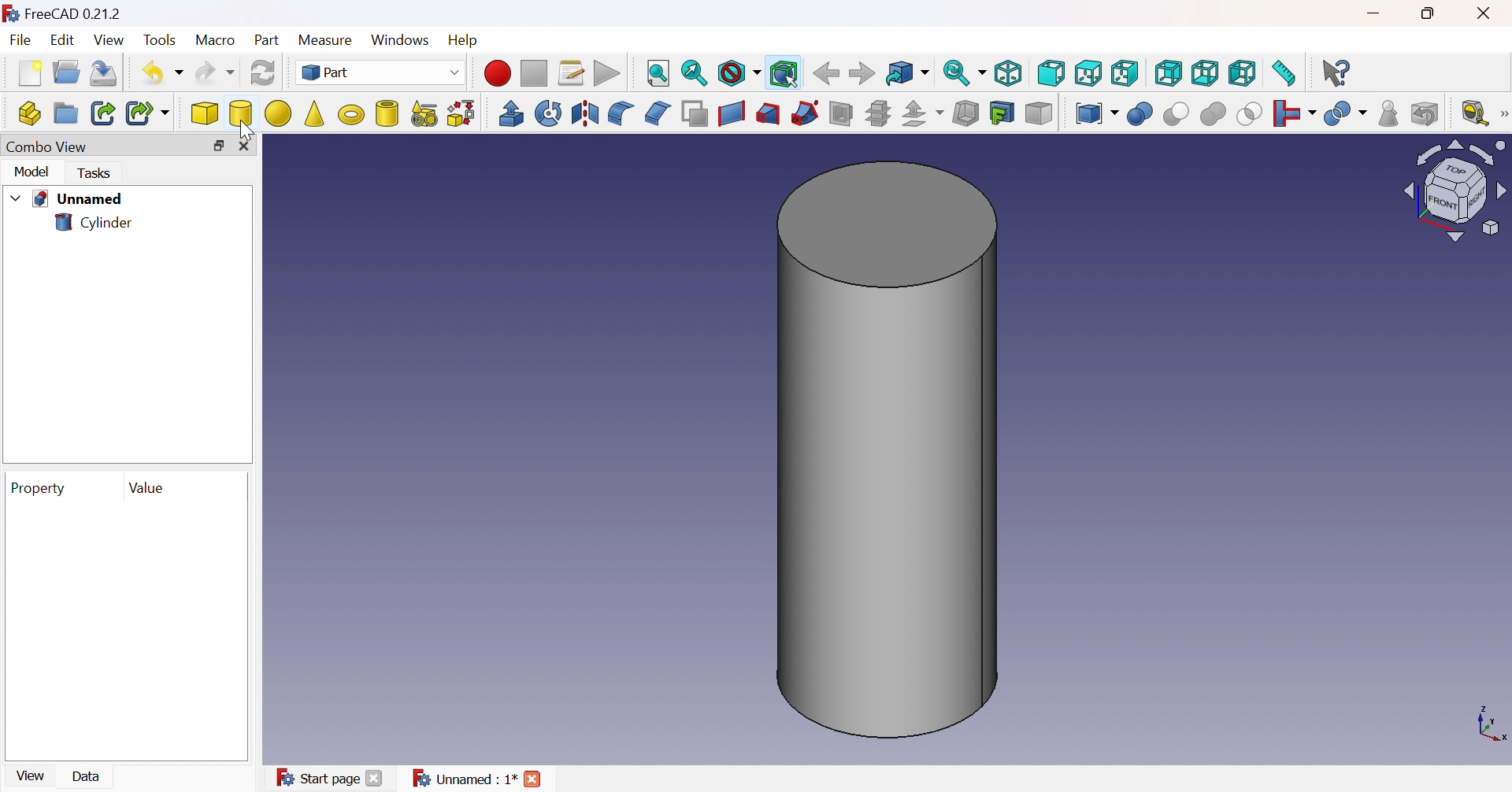 Image resolution: width=1512 pixels, height=792 pixels. Describe the element at coordinates (620, 113) in the screenshot. I see `Fillet` at that location.